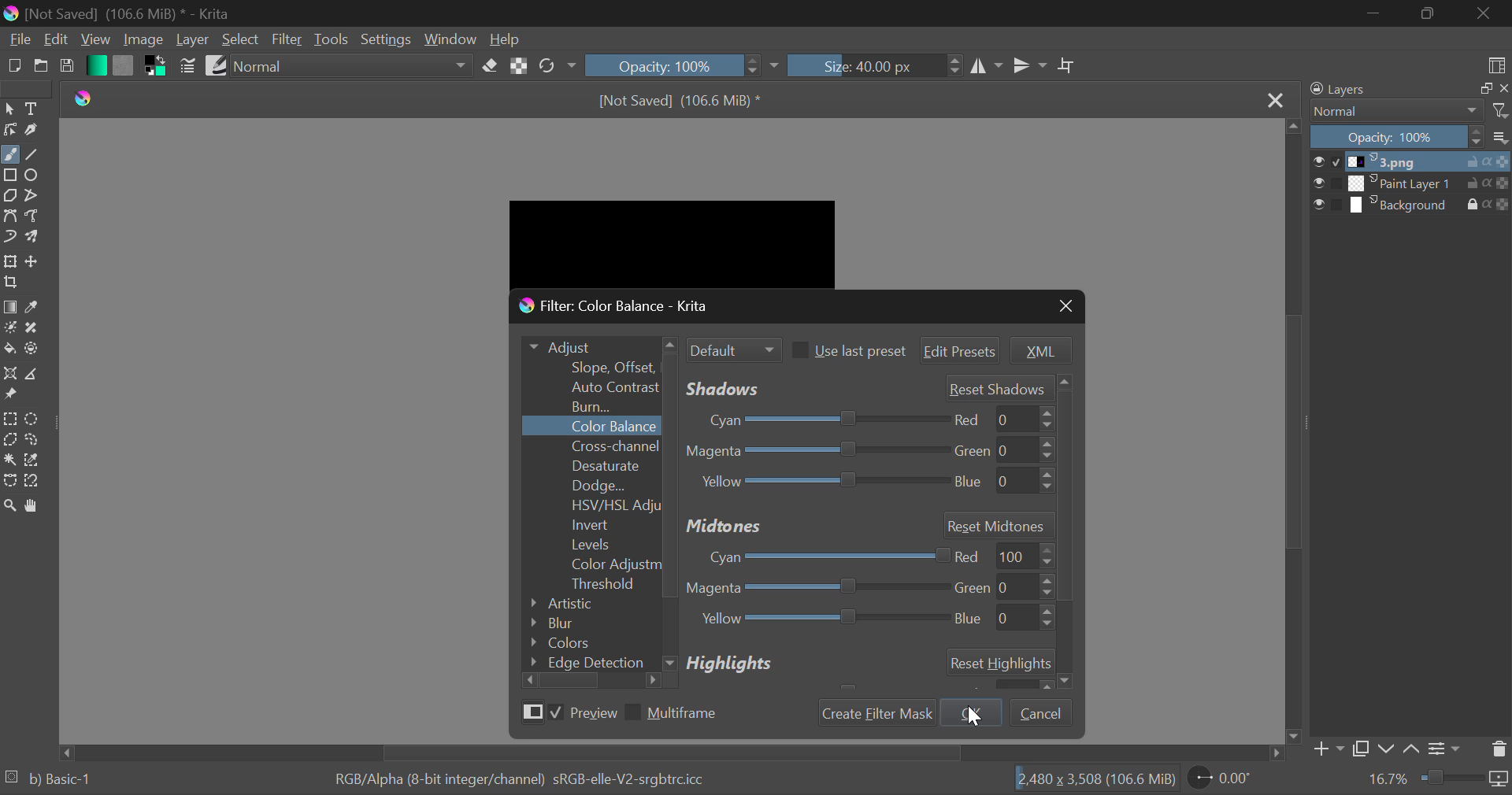 The width and height of the screenshot is (1512, 795). I want to click on green, so click(997, 586).